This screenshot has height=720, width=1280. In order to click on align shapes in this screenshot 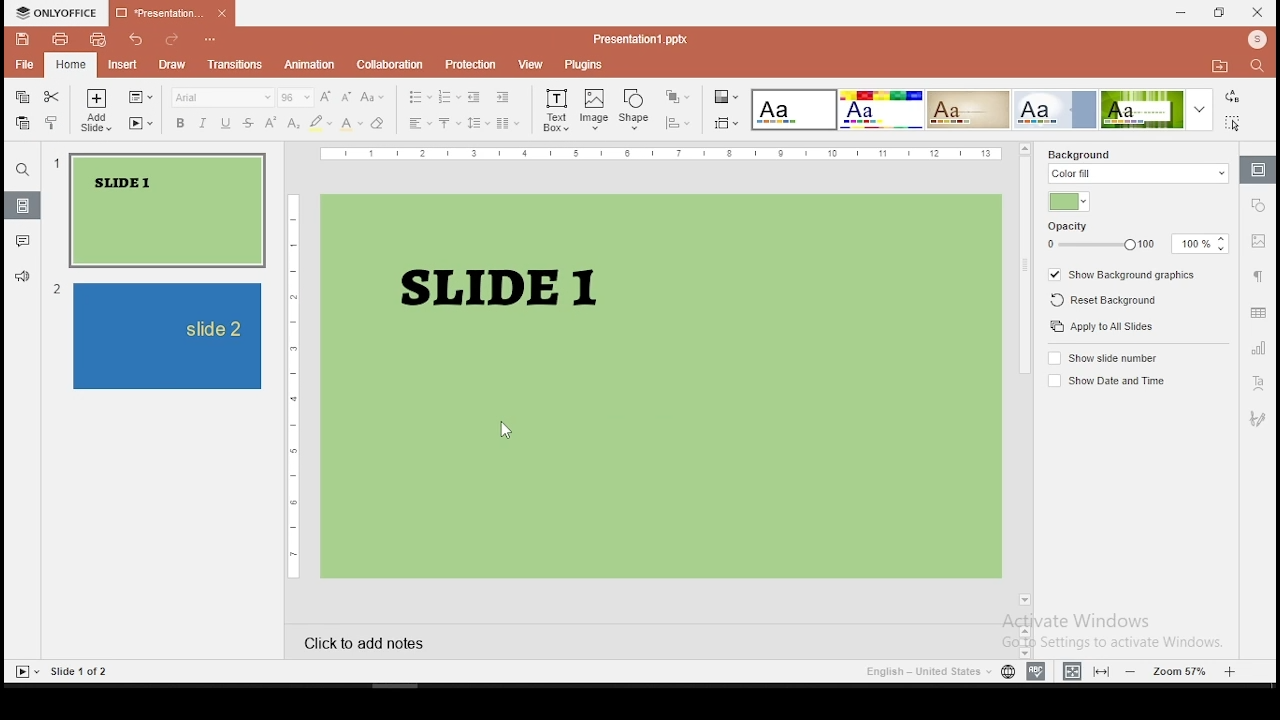, I will do `click(679, 123)`.